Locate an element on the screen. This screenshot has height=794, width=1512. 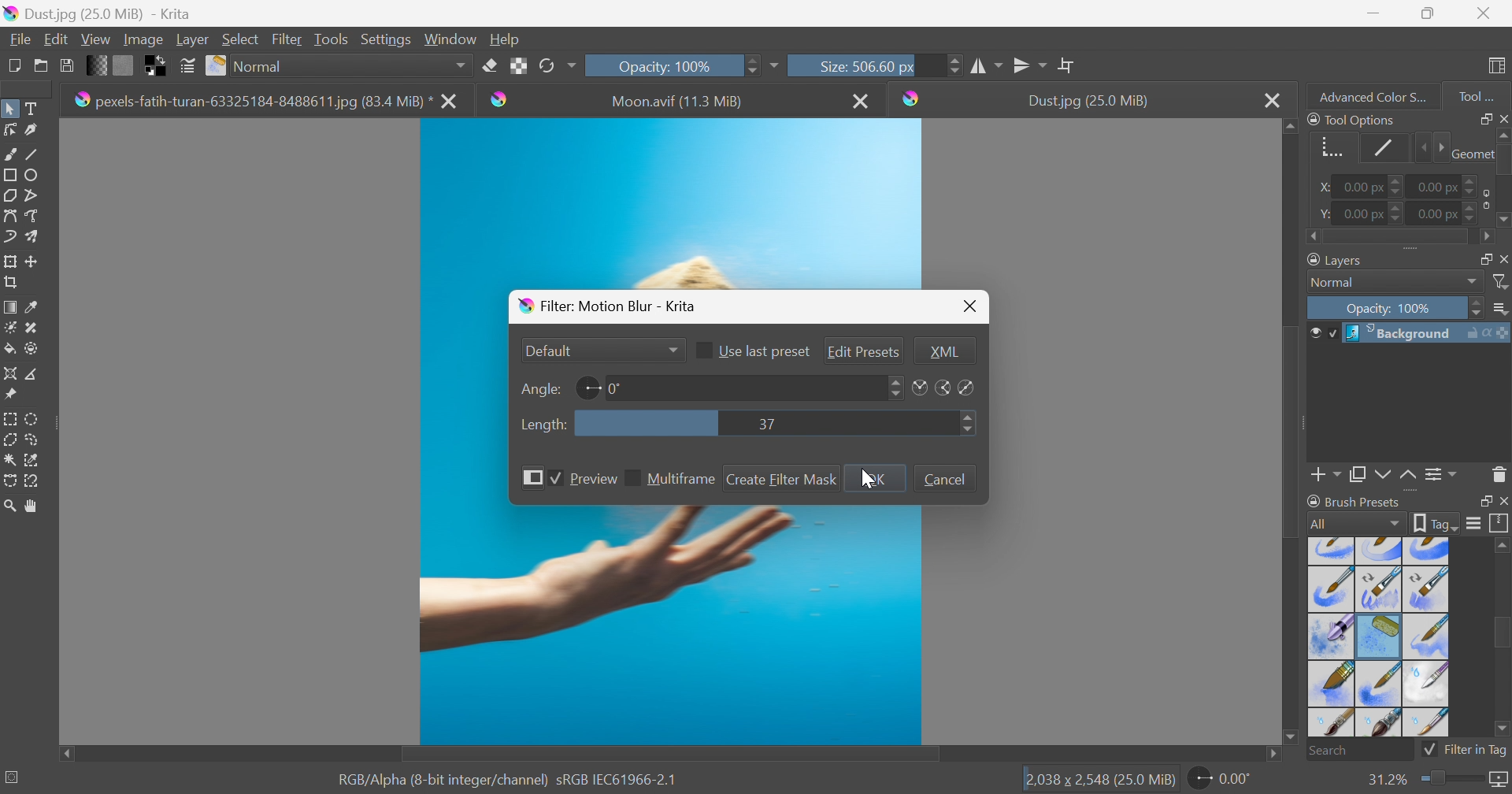
Preserve Alpha is located at coordinates (519, 65).